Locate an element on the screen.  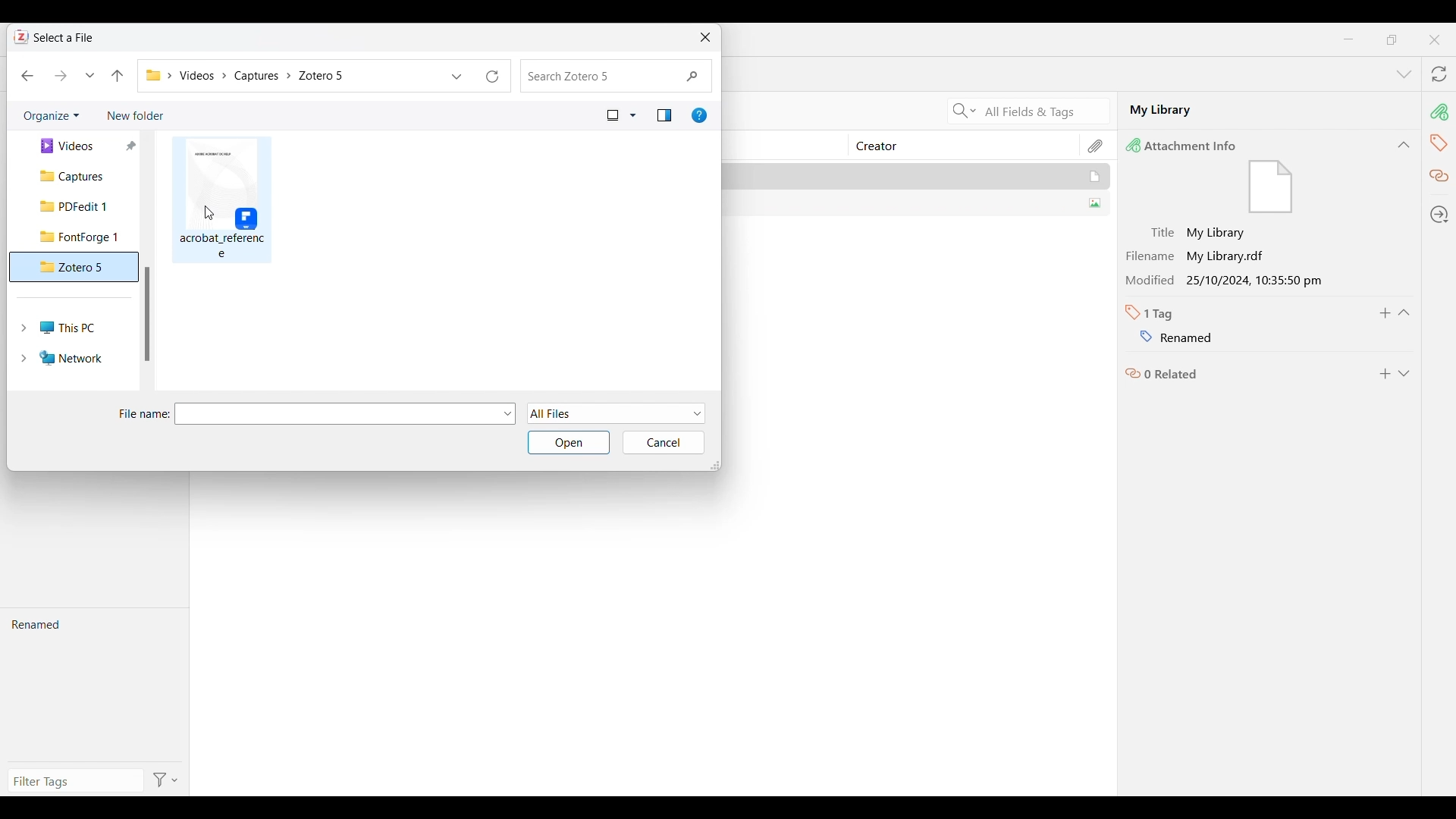
Organize current folder is located at coordinates (52, 117).